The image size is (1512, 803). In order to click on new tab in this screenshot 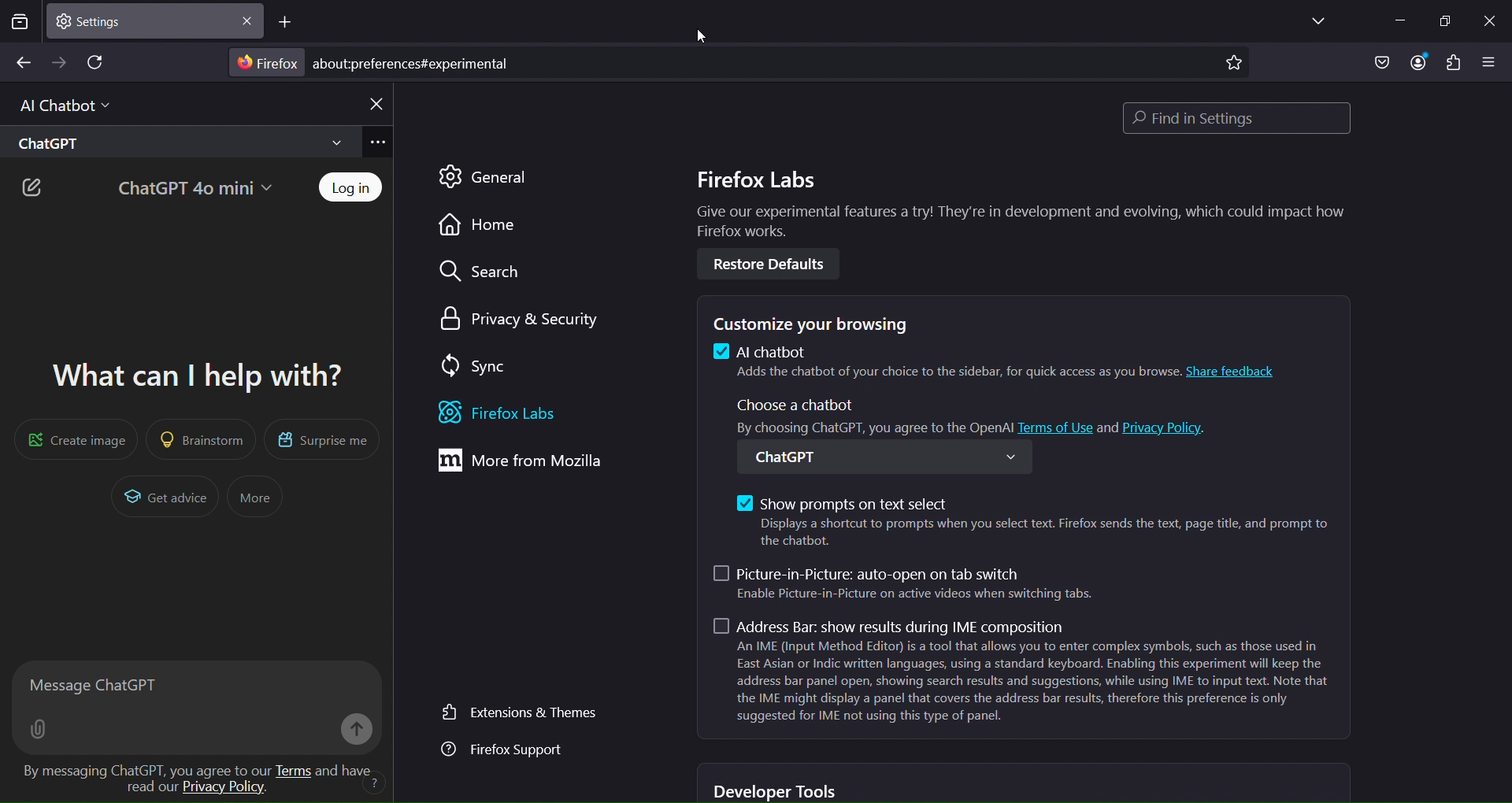, I will do `click(287, 24)`.